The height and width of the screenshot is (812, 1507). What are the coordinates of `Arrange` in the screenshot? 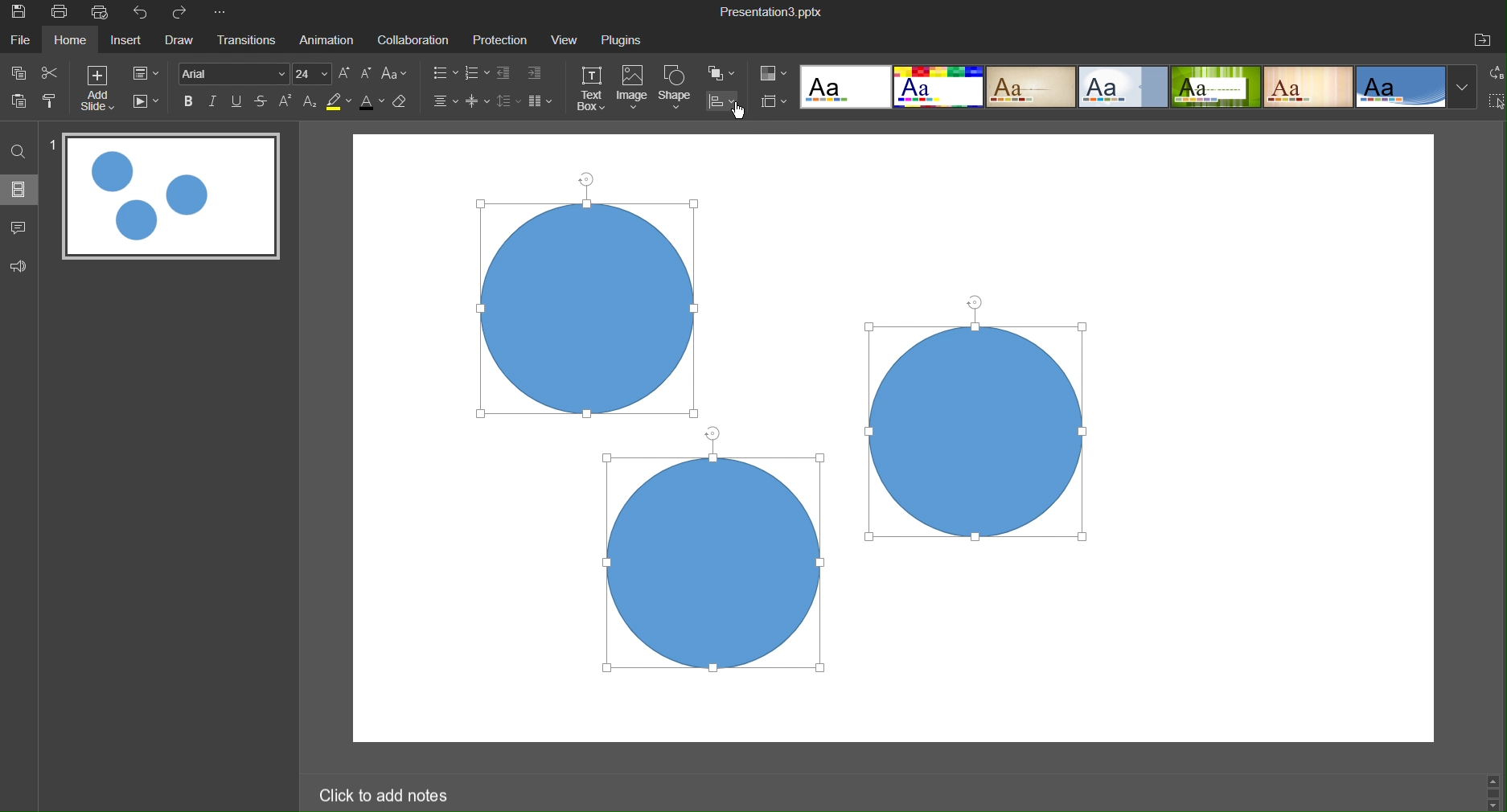 It's located at (725, 76).